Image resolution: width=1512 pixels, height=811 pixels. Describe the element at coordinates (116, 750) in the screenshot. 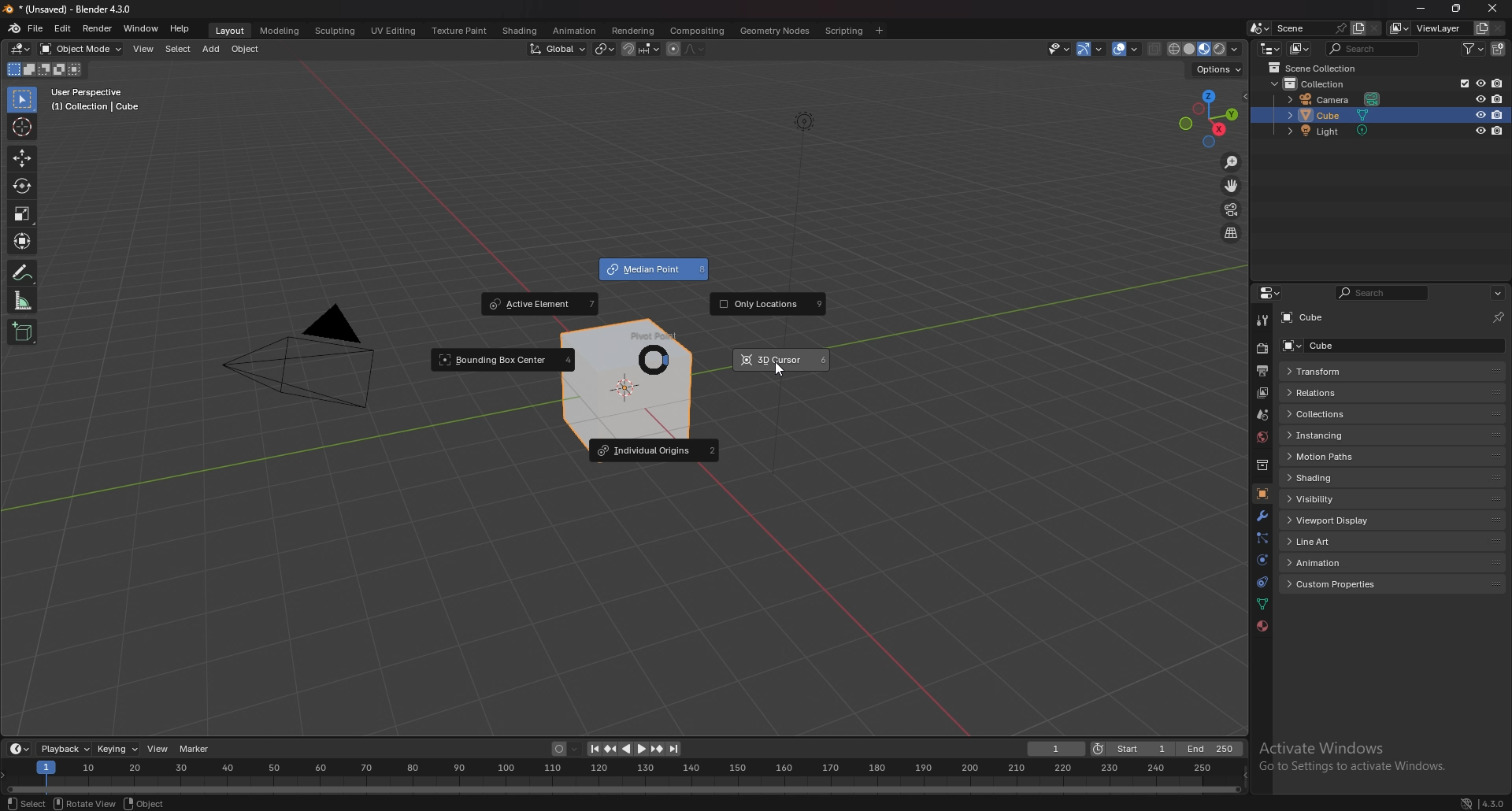

I see `keying` at that location.